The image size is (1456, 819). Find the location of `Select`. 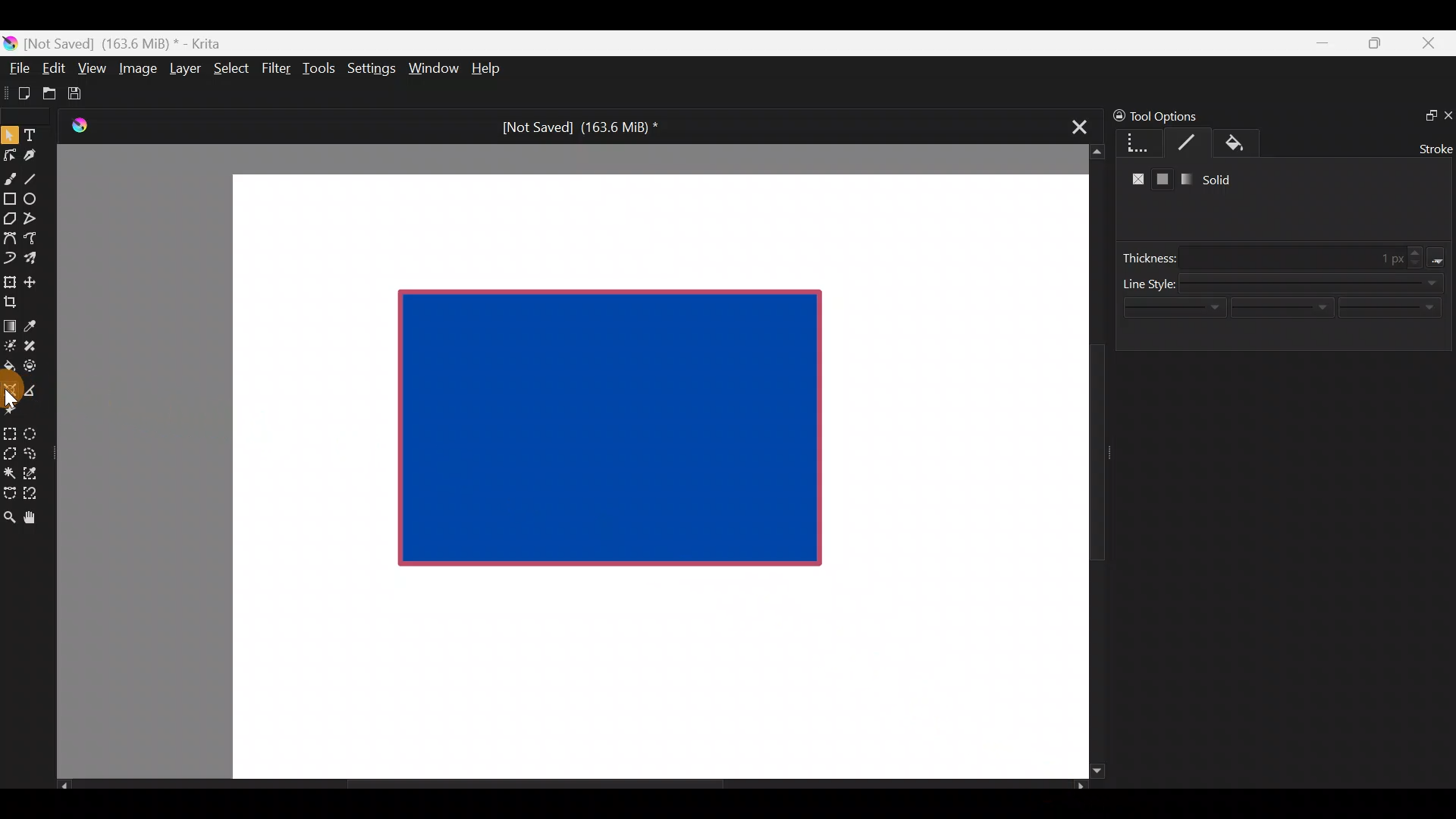

Select is located at coordinates (232, 67).